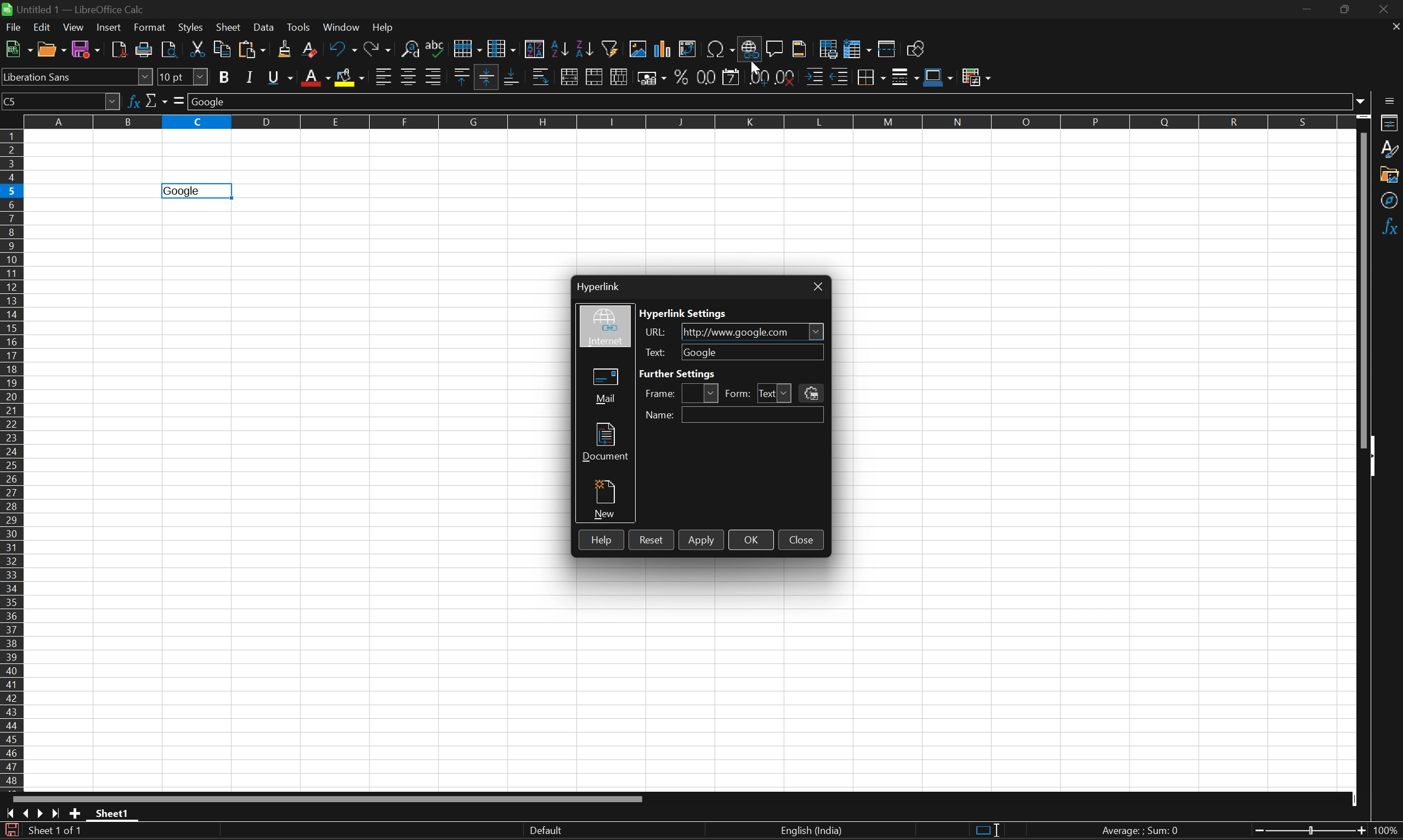 This screenshot has height=840, width=1403. I want to click on Save, so click(86, 48).